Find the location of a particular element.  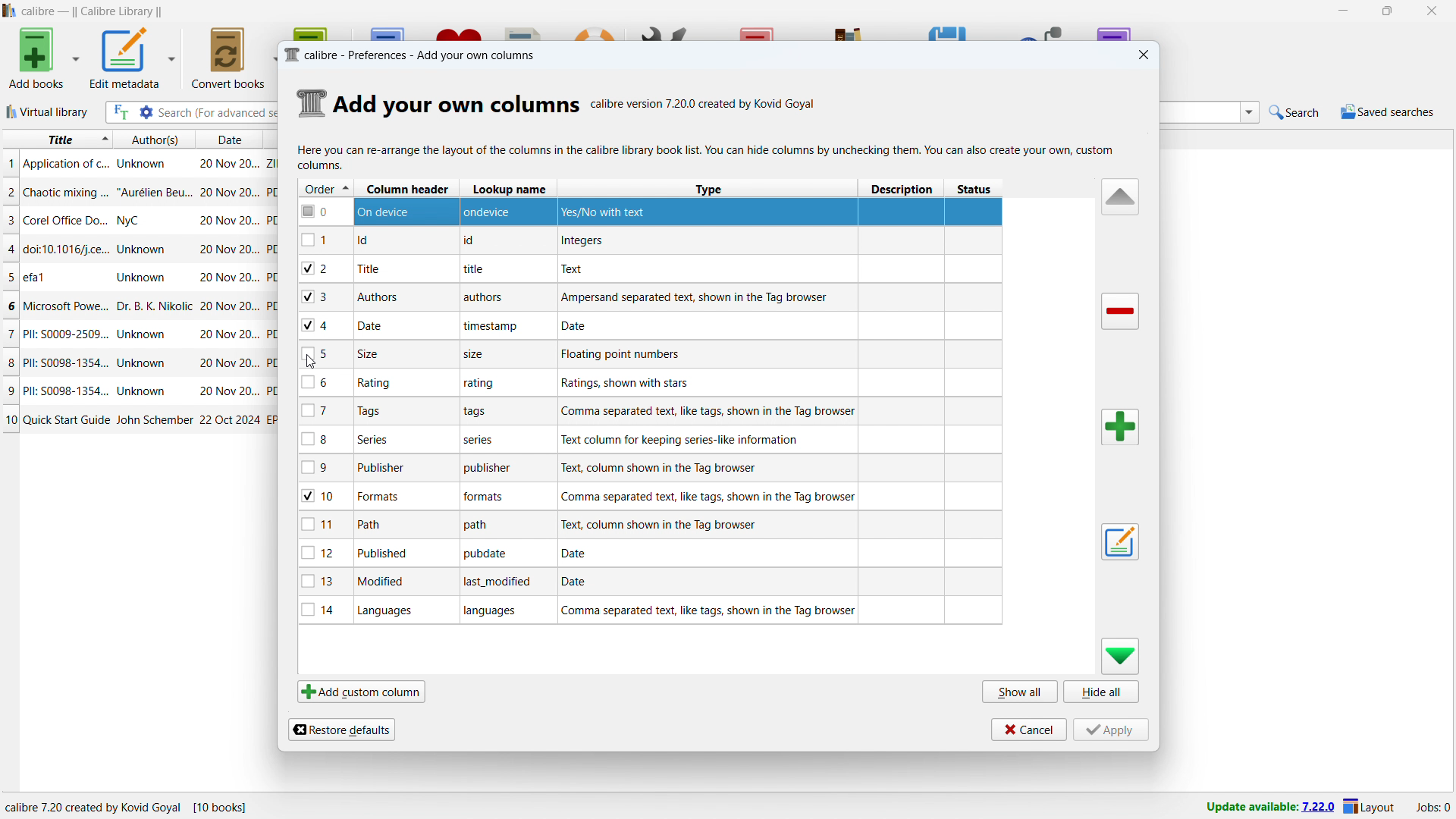

author is located at coordinates (143, 363).